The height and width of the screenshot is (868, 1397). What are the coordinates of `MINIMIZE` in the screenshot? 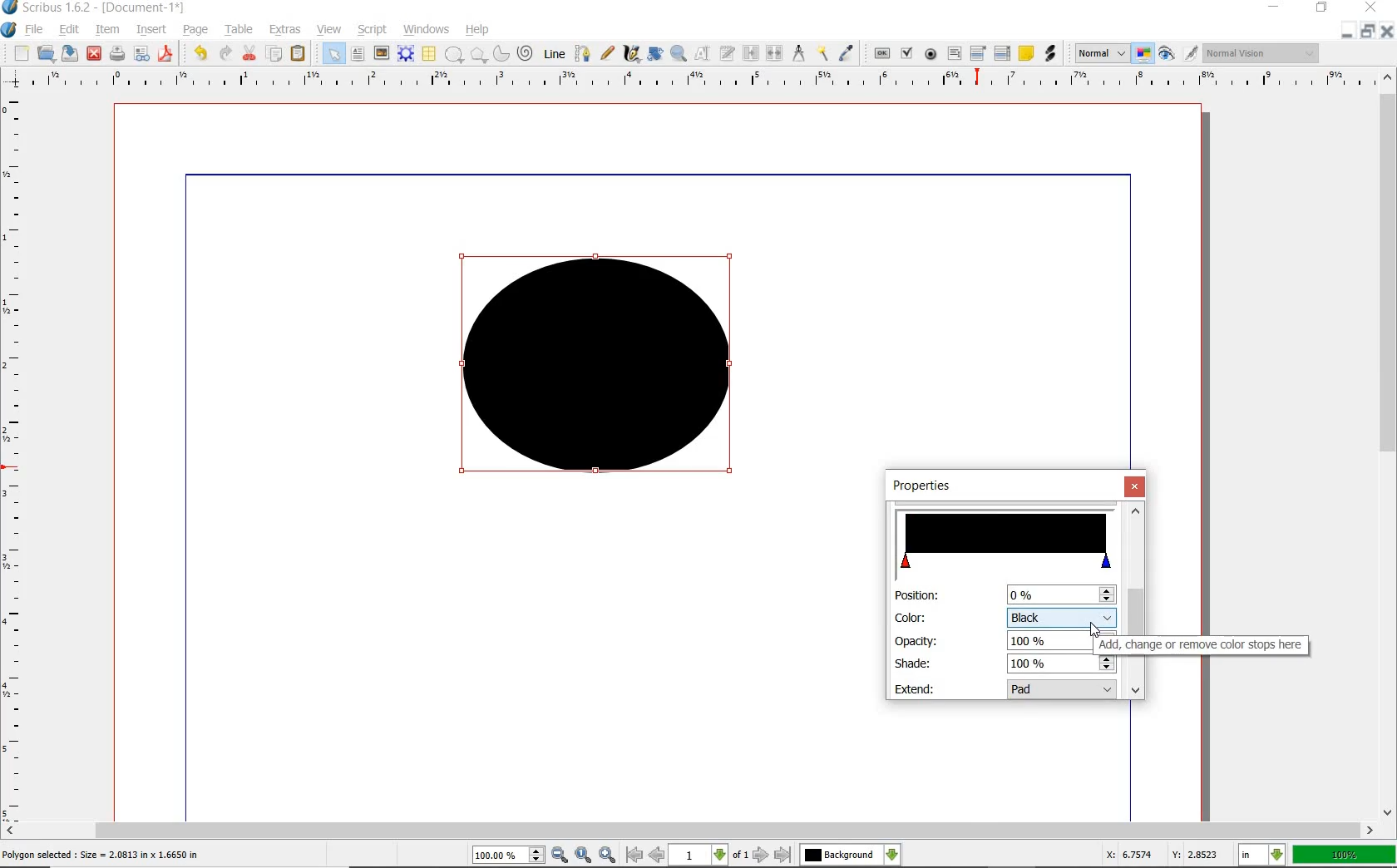 It's located at (1276, 6).